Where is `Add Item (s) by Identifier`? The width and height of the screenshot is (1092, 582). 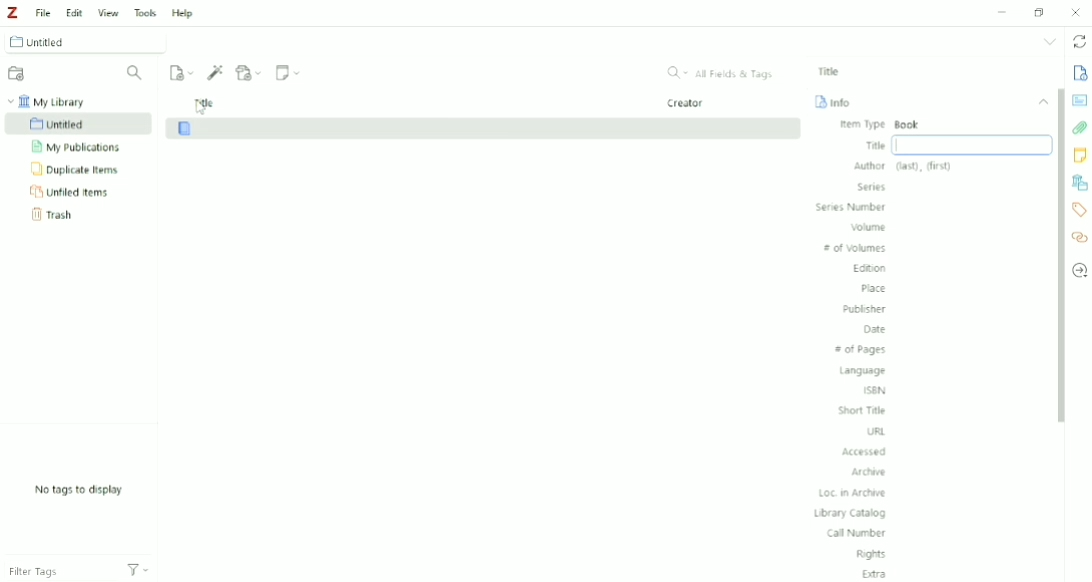
Add Item (s) by Identifier is located at coordinates (217, 72).